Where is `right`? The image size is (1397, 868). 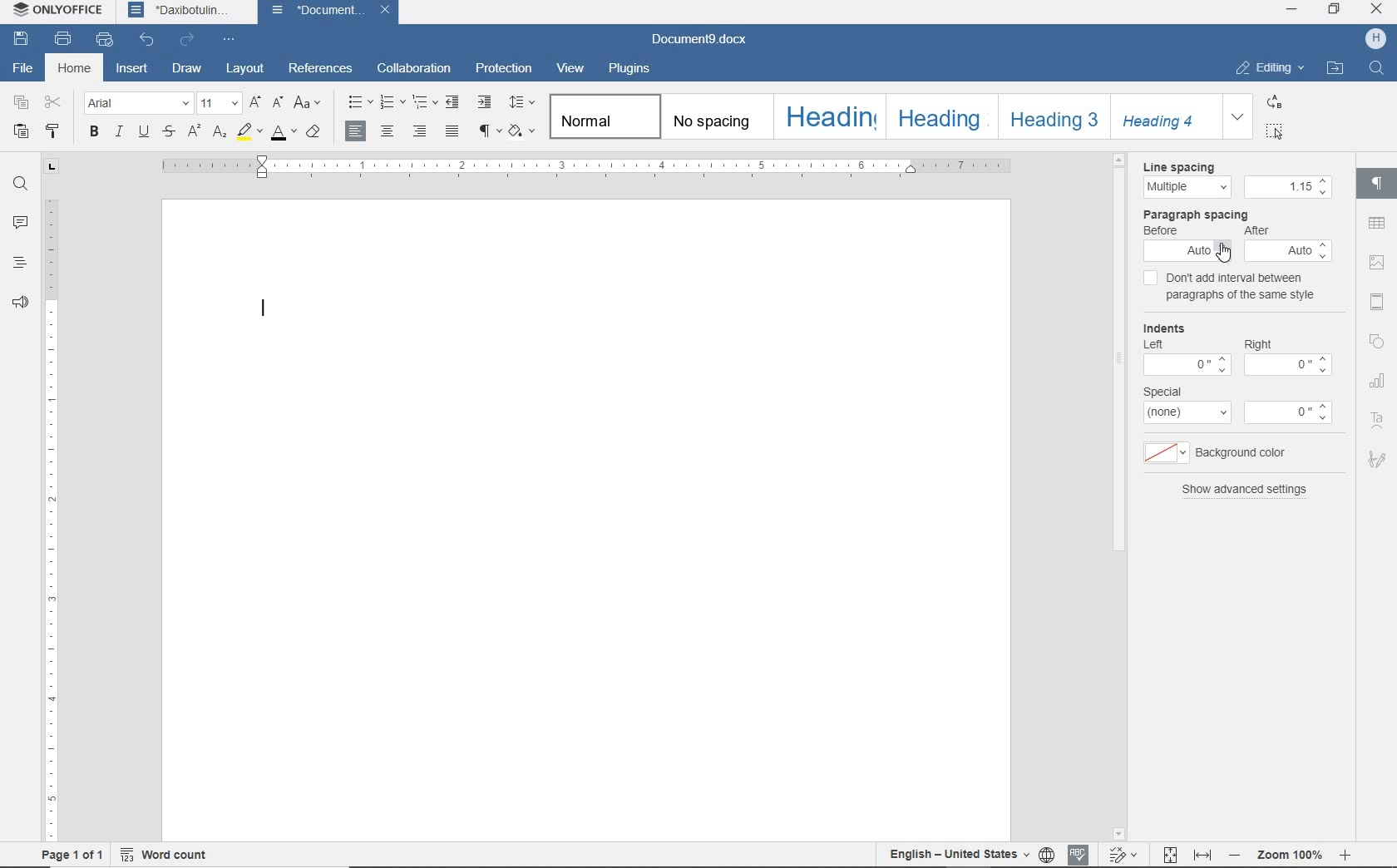
right is located at coordinates (1258, 344).